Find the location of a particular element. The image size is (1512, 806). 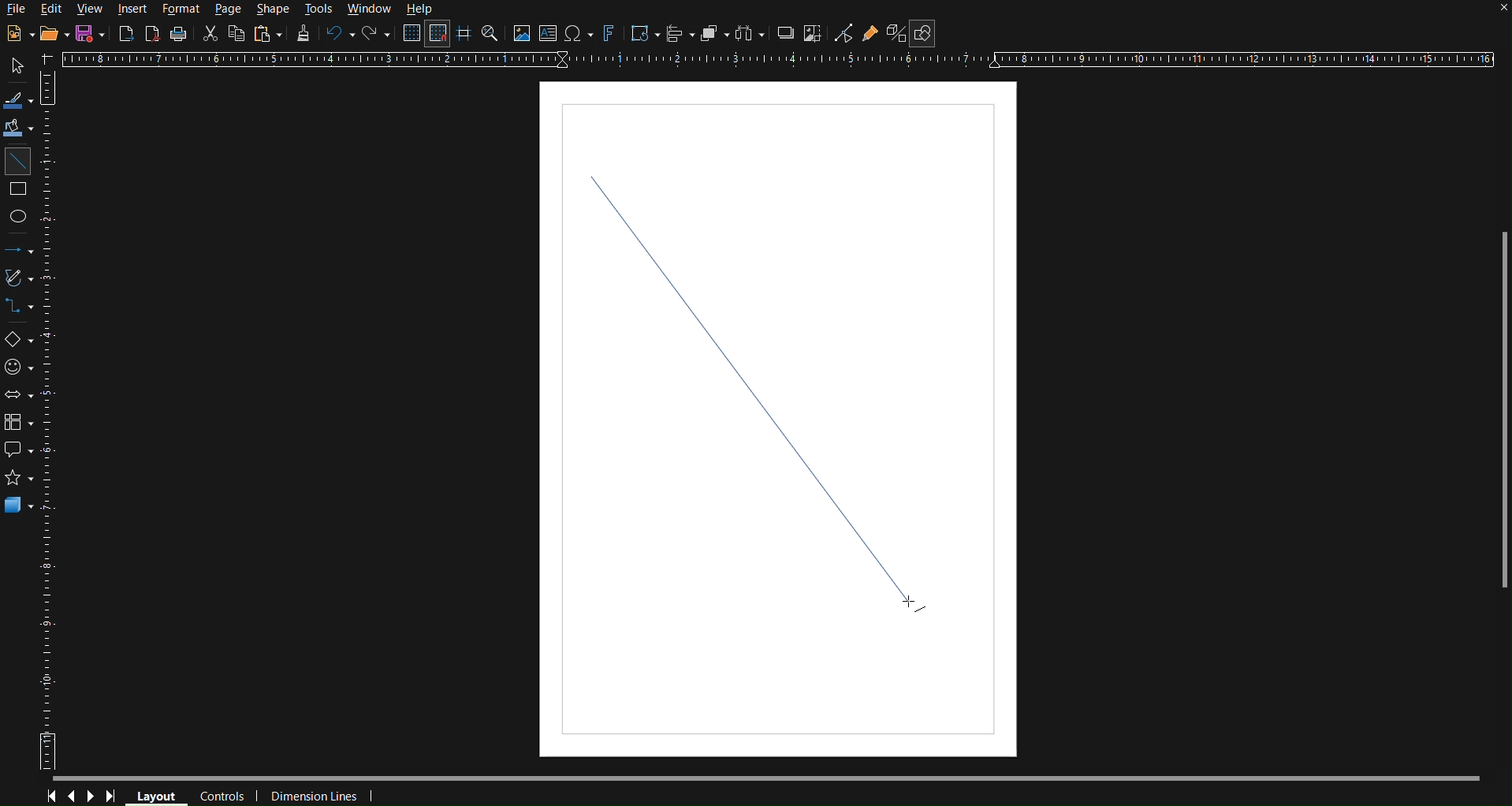

Edit is located at coordinates (52, 9).